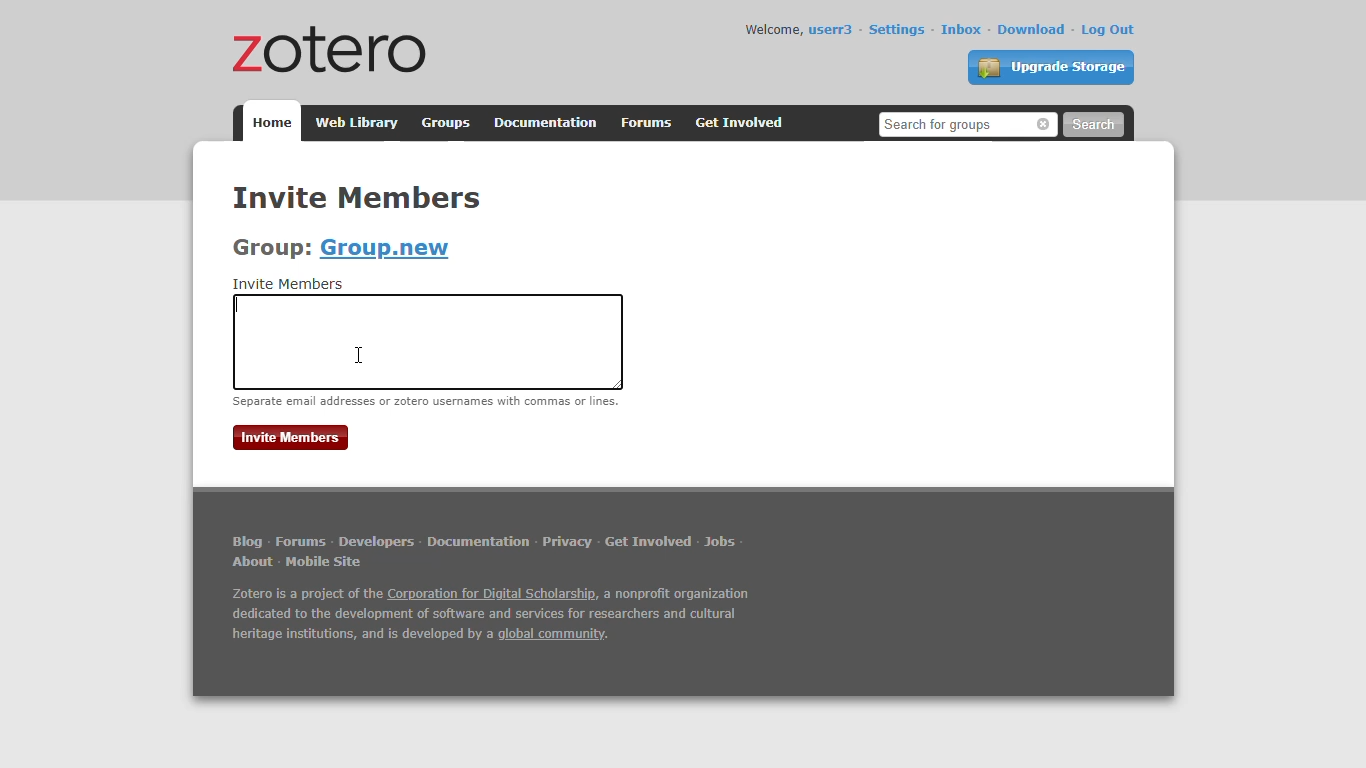 The width and height of the screenshot is (1366, 768). Describe the element at coordinates (426, 401) in the screenshot. I see `separate email addresses or zotero usernames with commas or lines.` at that location.